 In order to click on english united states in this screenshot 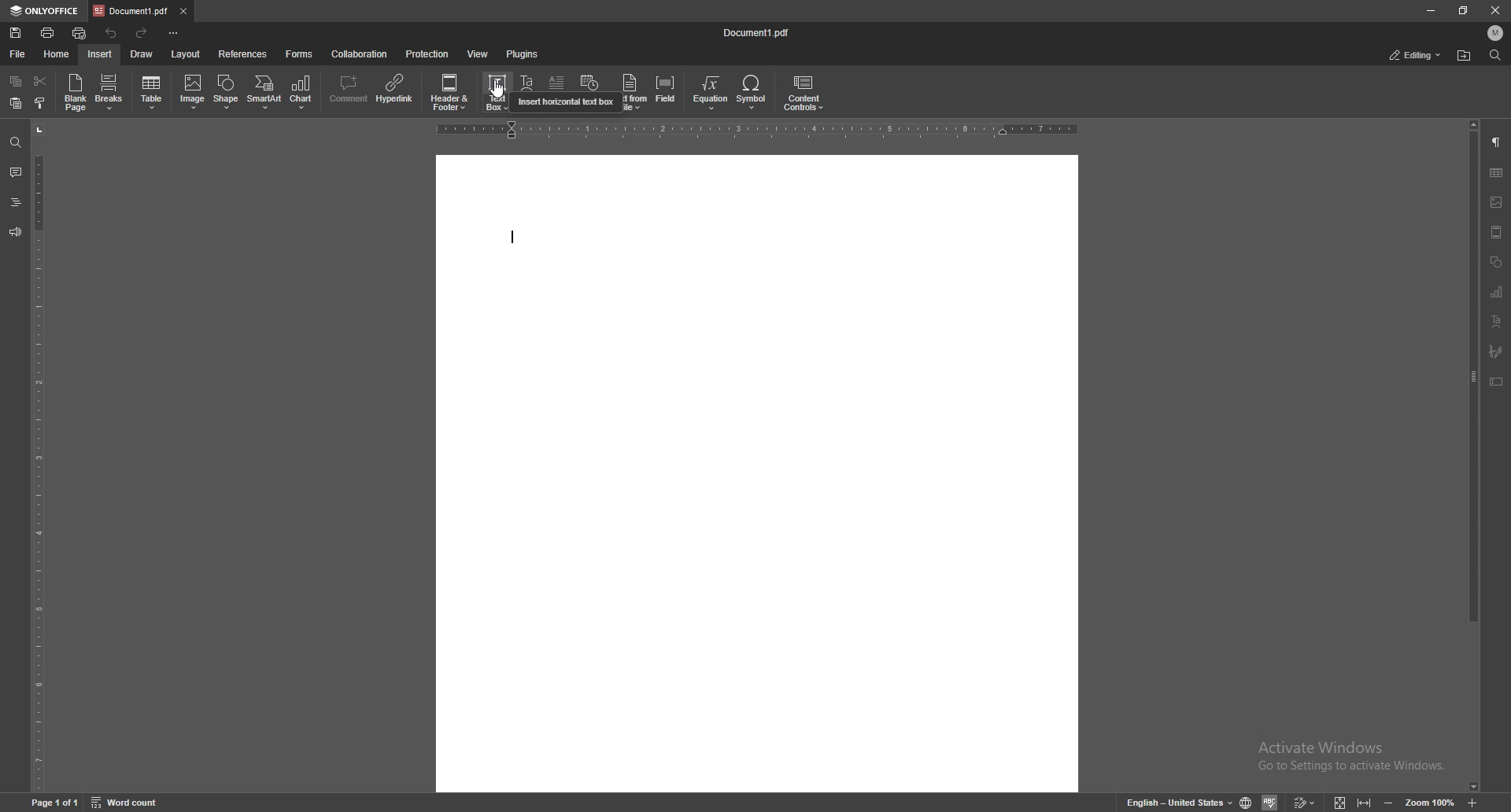, I will do `click(1180, 803)`.